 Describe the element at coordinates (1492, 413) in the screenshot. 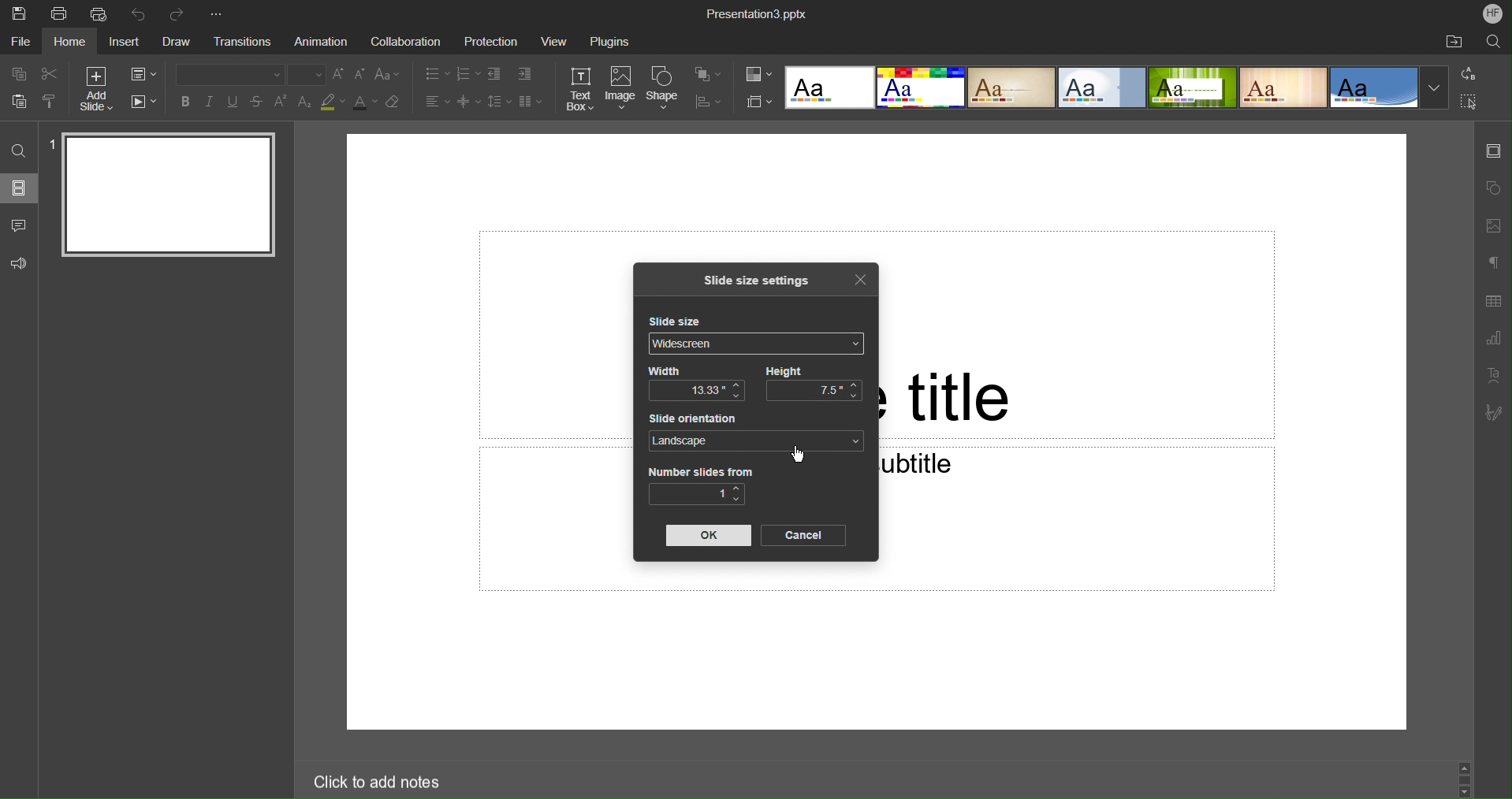

I see `Signature` at that location.